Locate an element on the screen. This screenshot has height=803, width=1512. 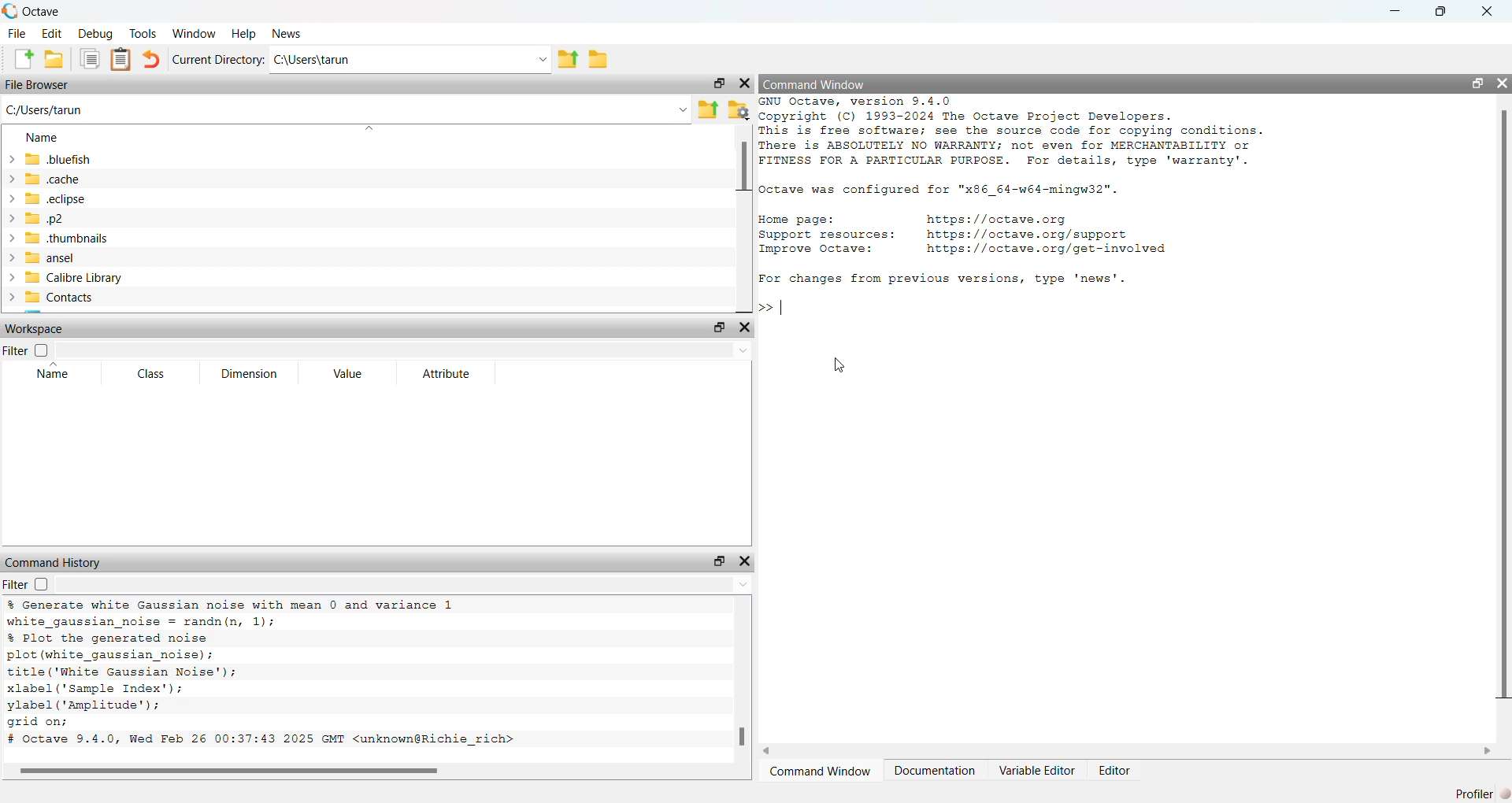
close is located at coordinates (1484, 12).